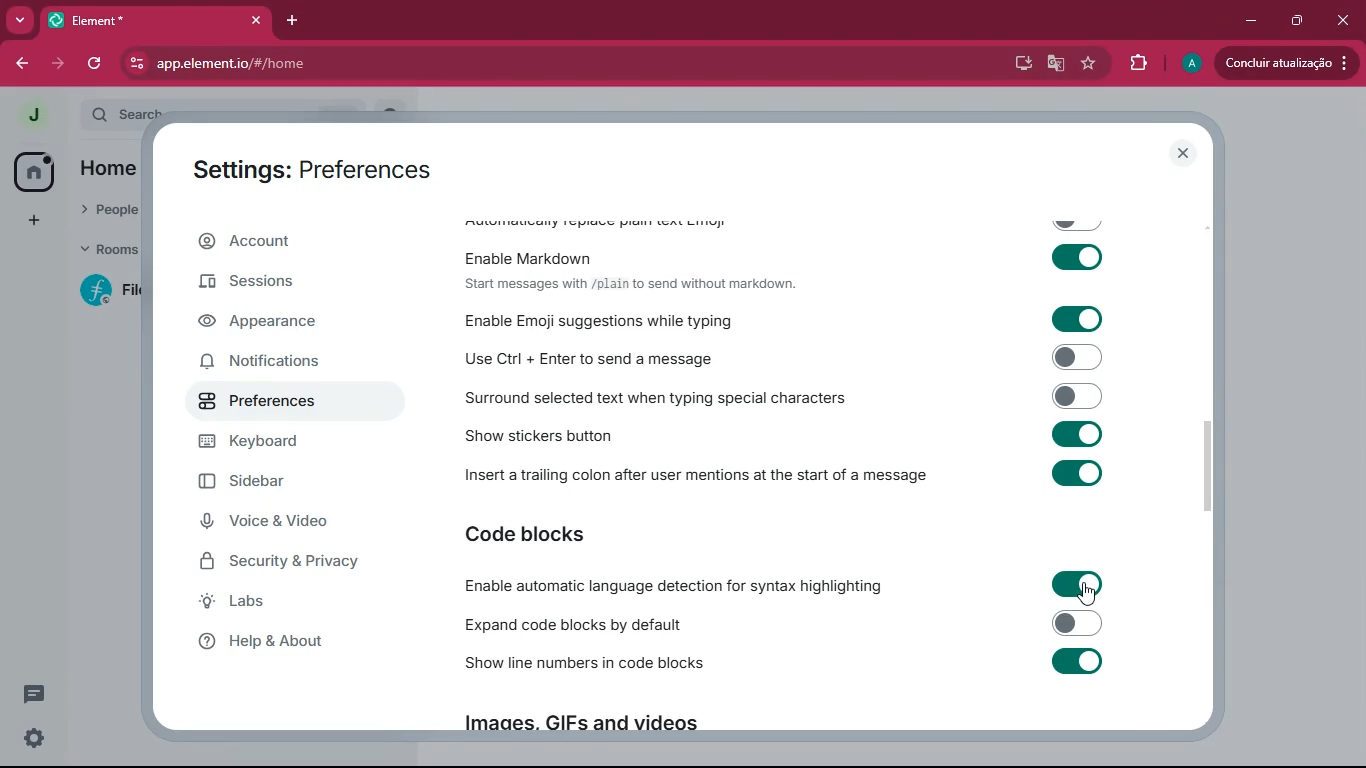 The height and width of the screenshot is (768, 1366). I want to click on scroll bar, so click(1213, 471).